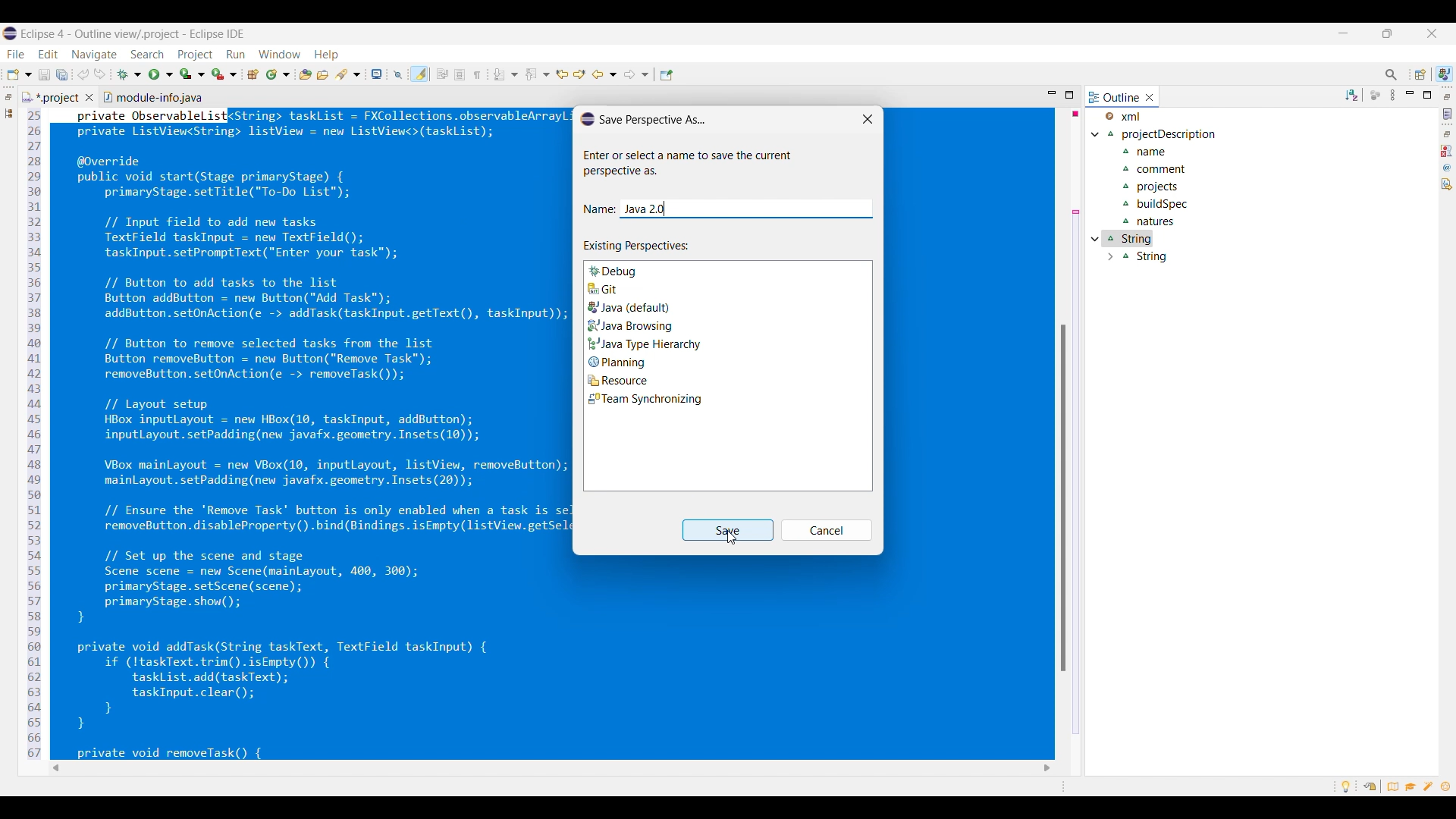 Image resolution: width=1456 pixels, height=819 pixels. Describe the element at coordinates (730, 537) in the screenshot. I see `Cursor clicking on save` at that location.